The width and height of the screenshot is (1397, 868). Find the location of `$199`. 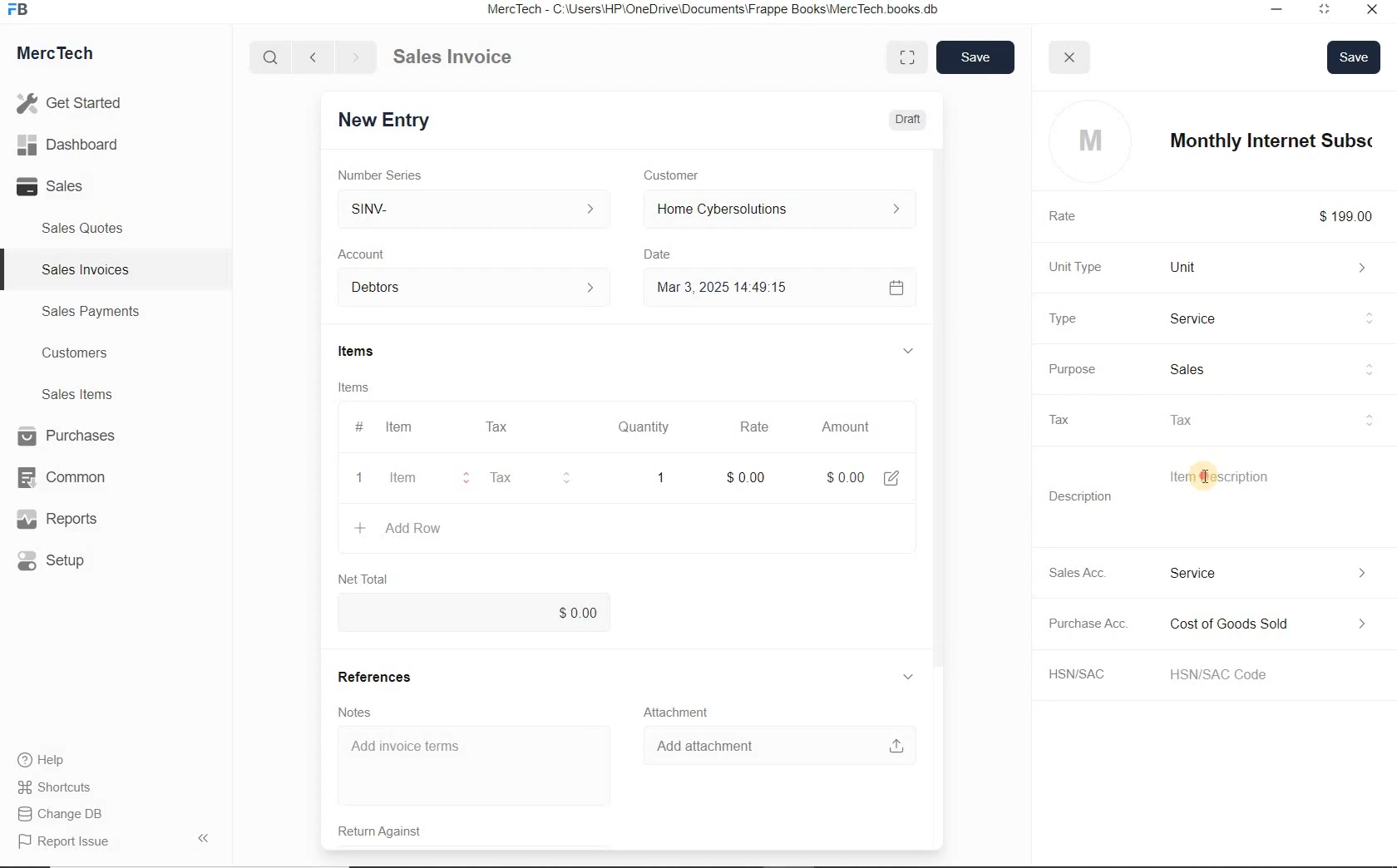

$199 is located at coordinates (1340, 216).